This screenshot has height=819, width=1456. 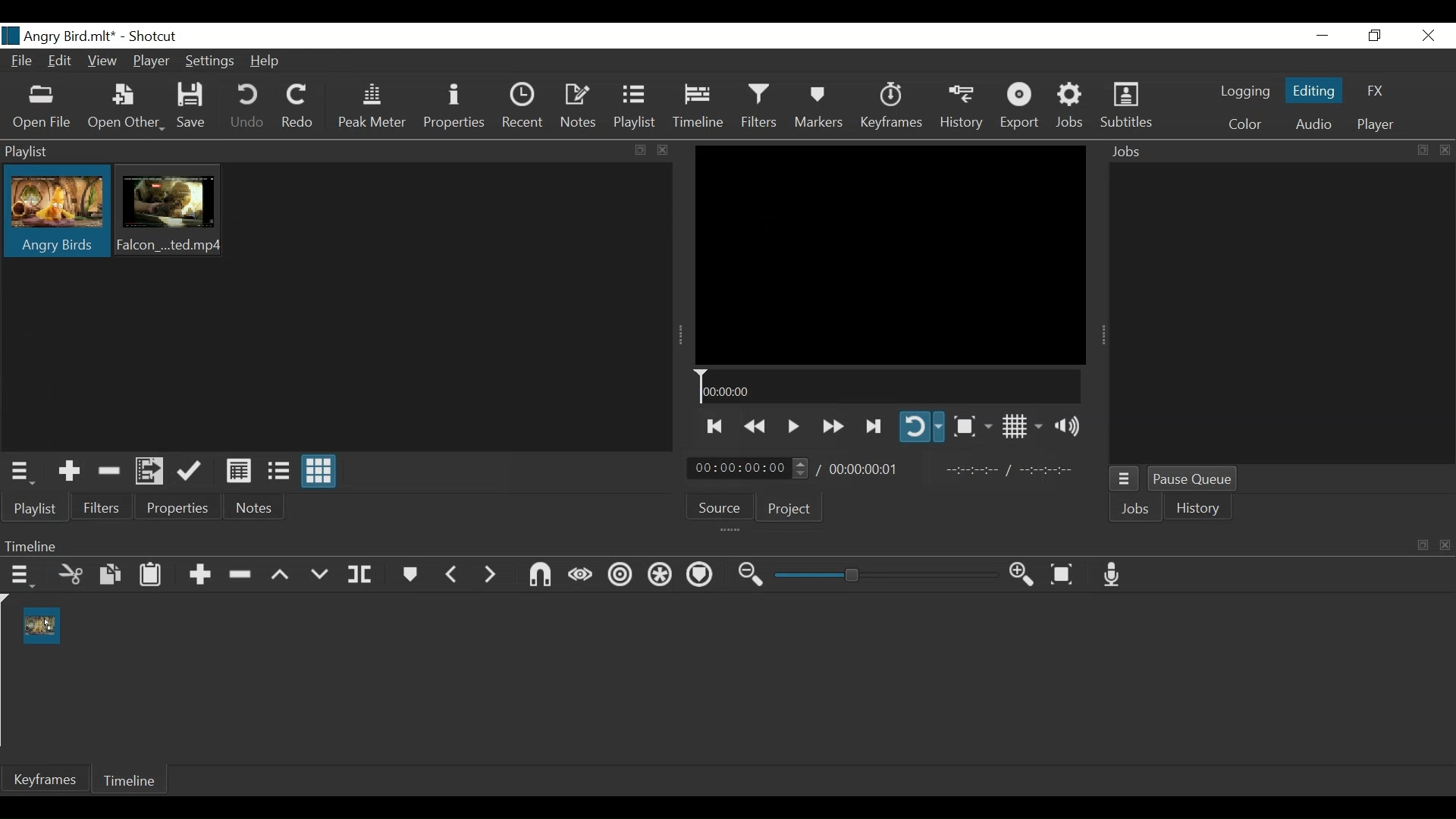 I want to click on Total Duration, so click(x=870, y=469).